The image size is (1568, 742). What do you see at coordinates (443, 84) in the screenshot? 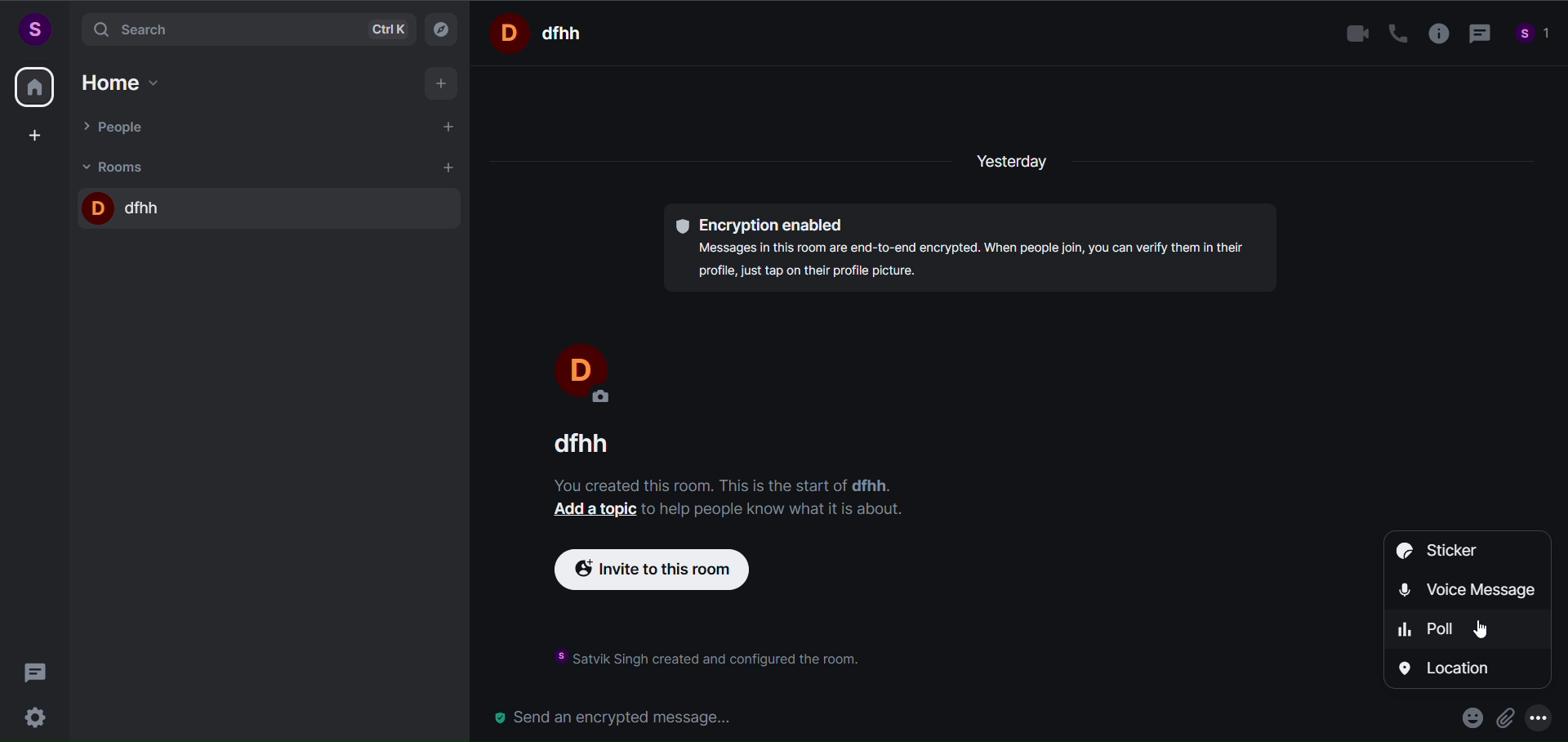
I see `add` at bounding box center [443, 84].